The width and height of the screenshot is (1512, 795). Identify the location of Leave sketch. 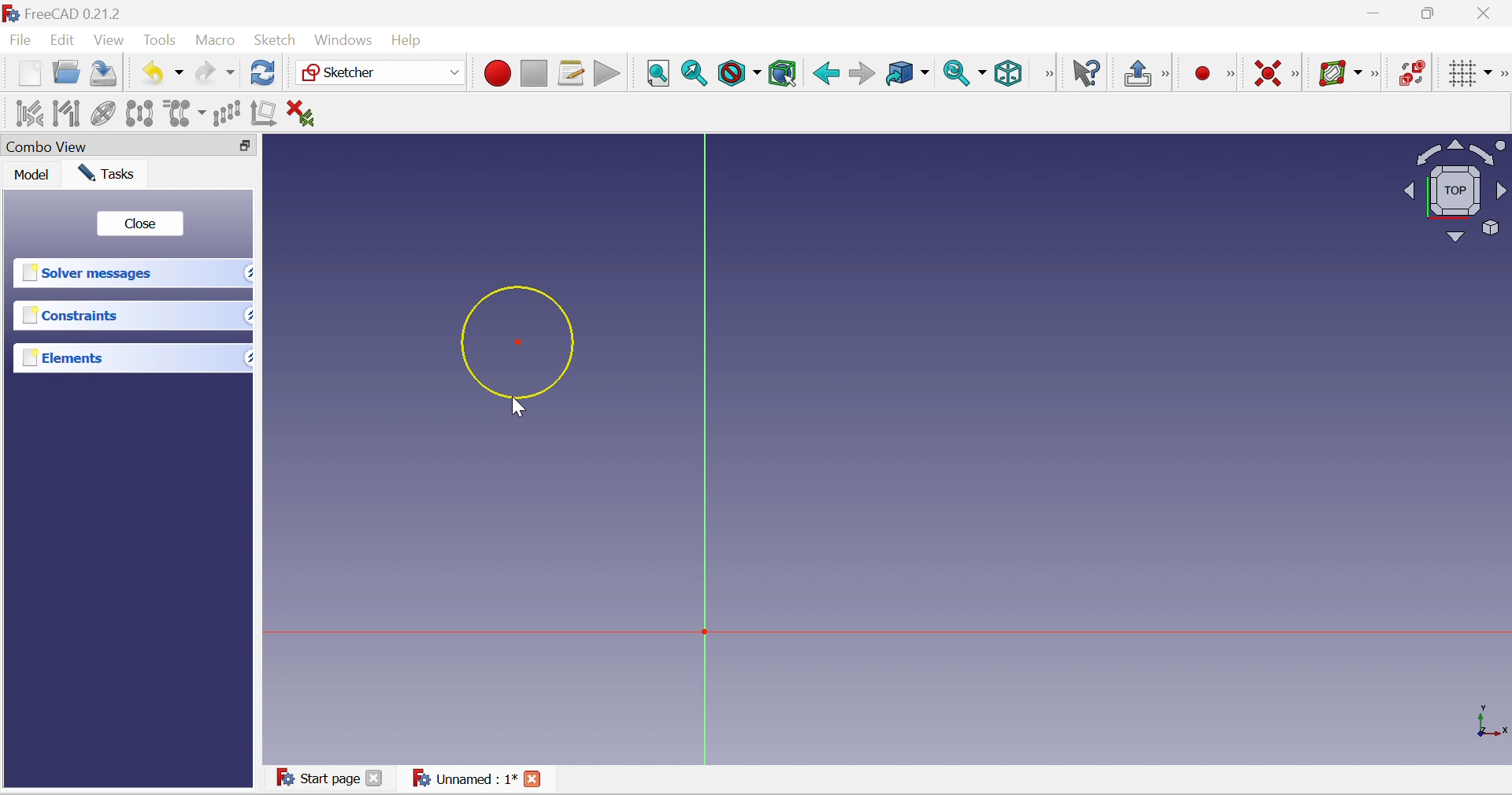
(1138, 72).